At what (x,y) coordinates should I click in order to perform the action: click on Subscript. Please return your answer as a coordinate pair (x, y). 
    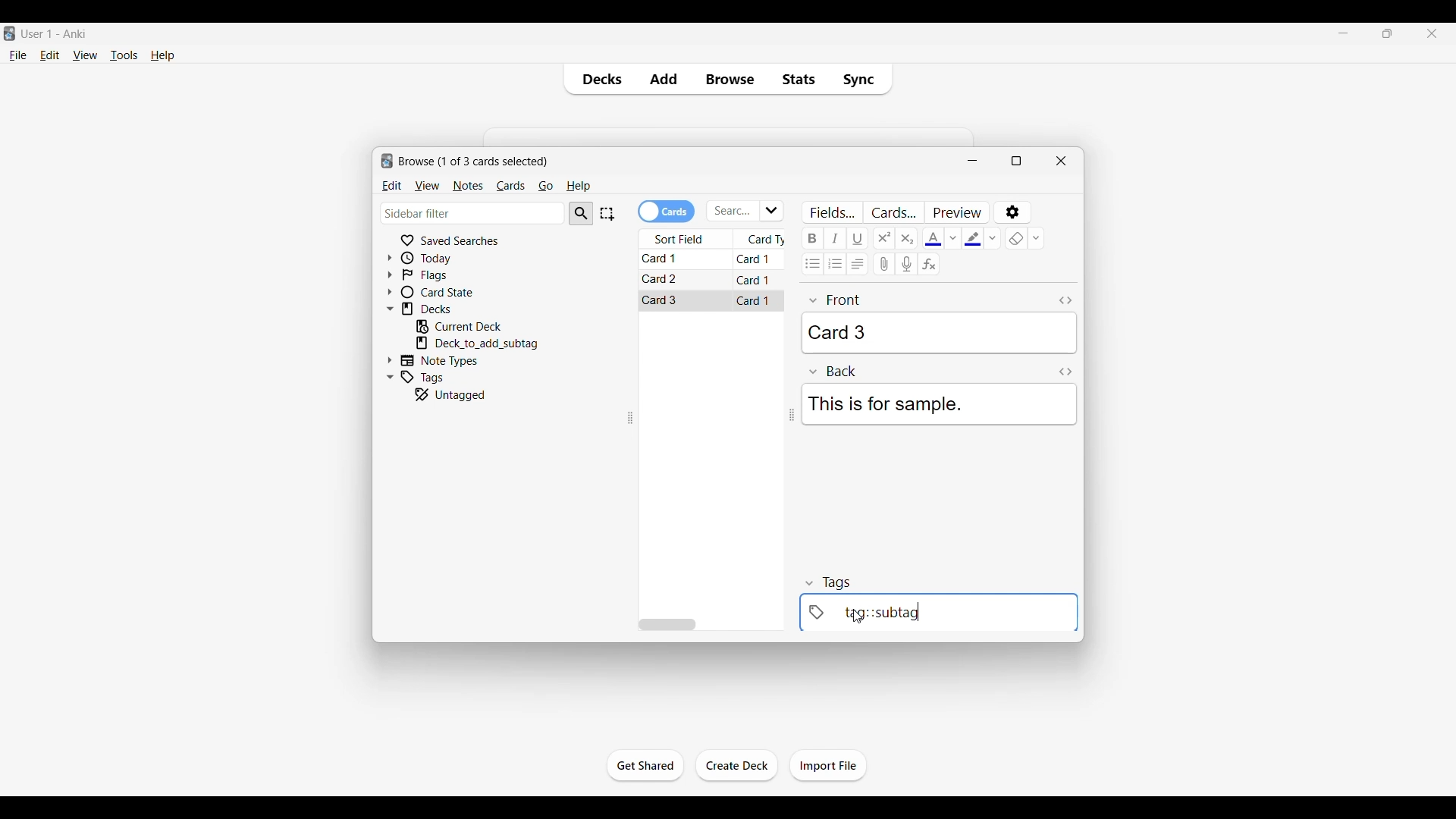
    Looking at the image, I should click on (906, 238).